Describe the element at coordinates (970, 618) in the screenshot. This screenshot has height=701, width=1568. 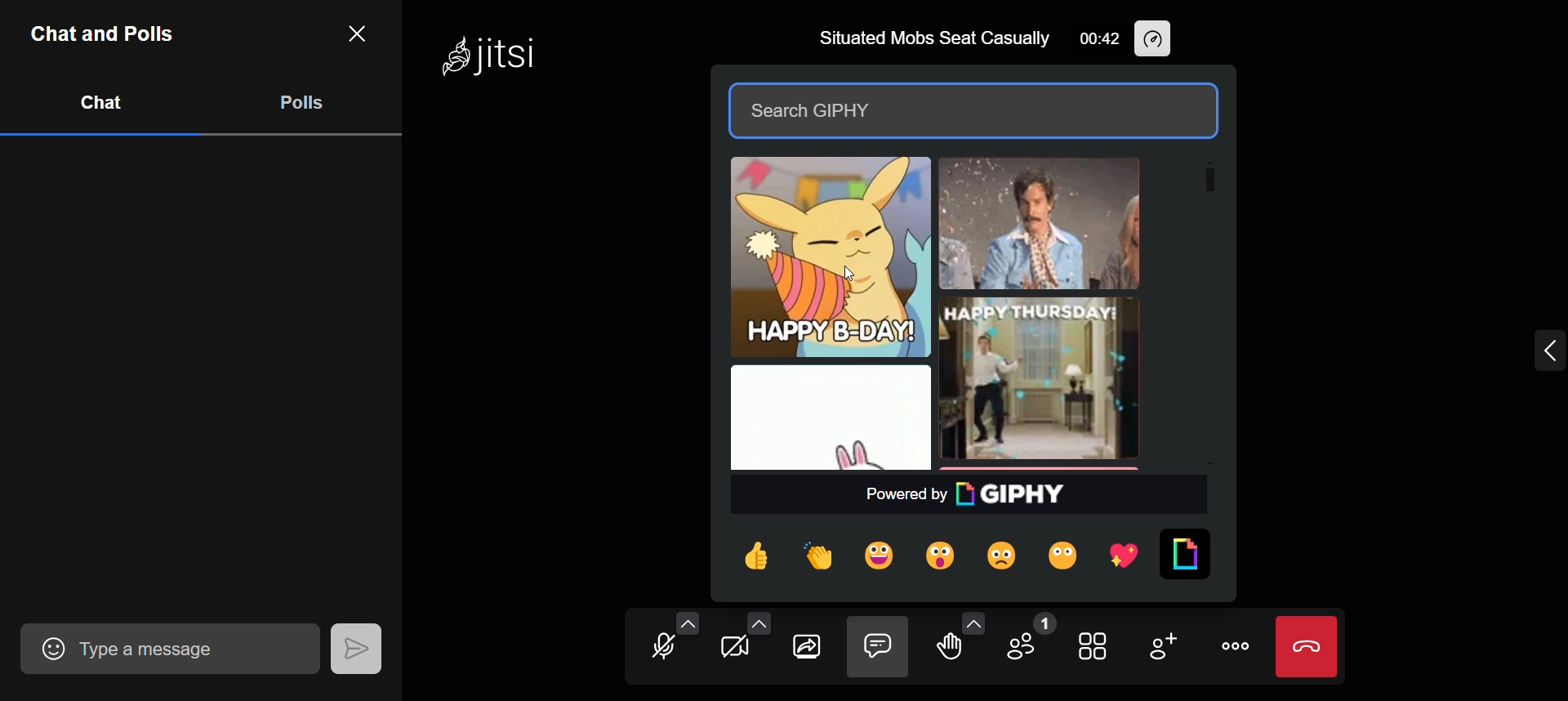
I see `more reaction option` at that location.